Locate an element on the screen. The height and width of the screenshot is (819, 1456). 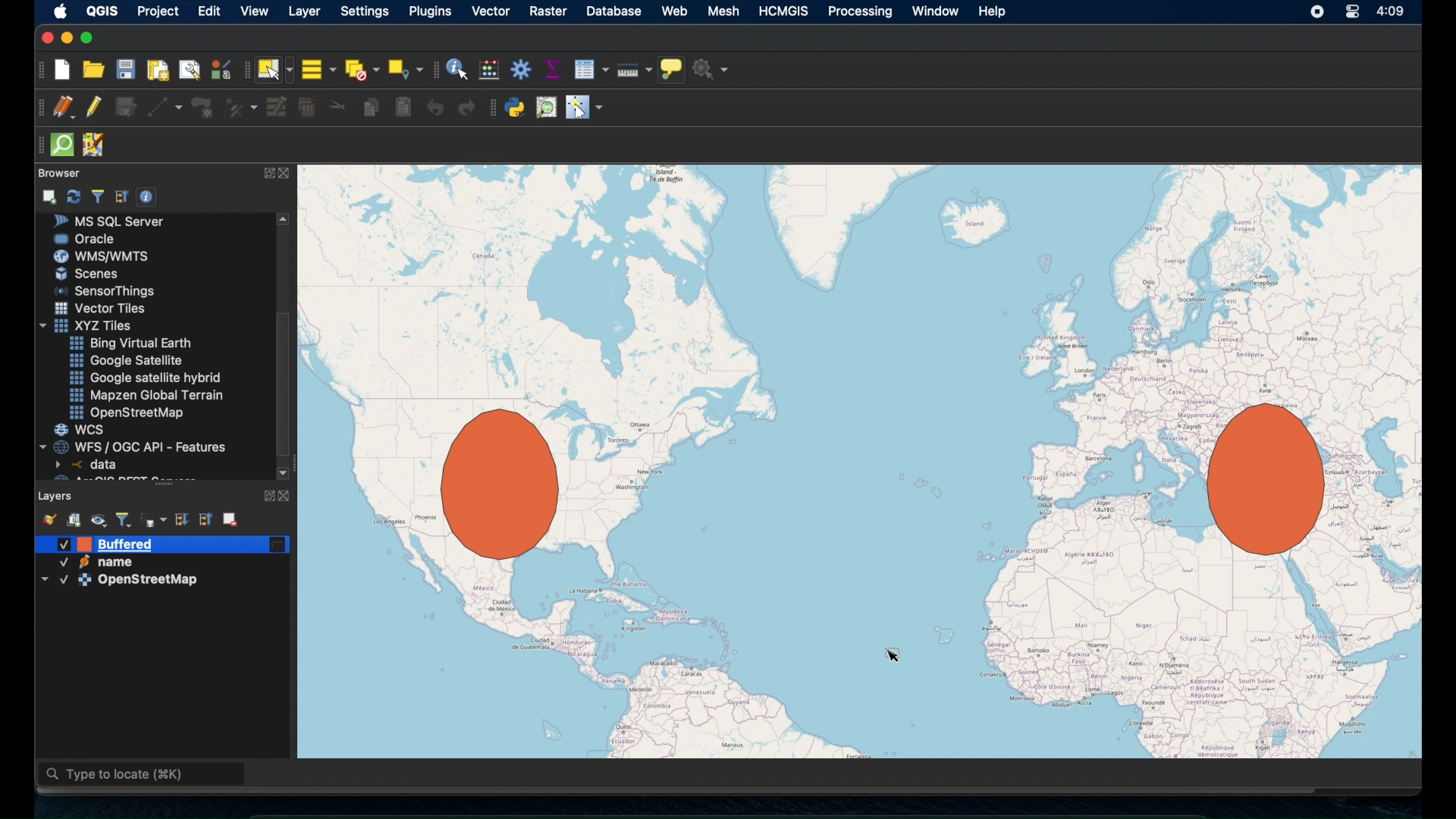
close is located at coordinates (45, 38).